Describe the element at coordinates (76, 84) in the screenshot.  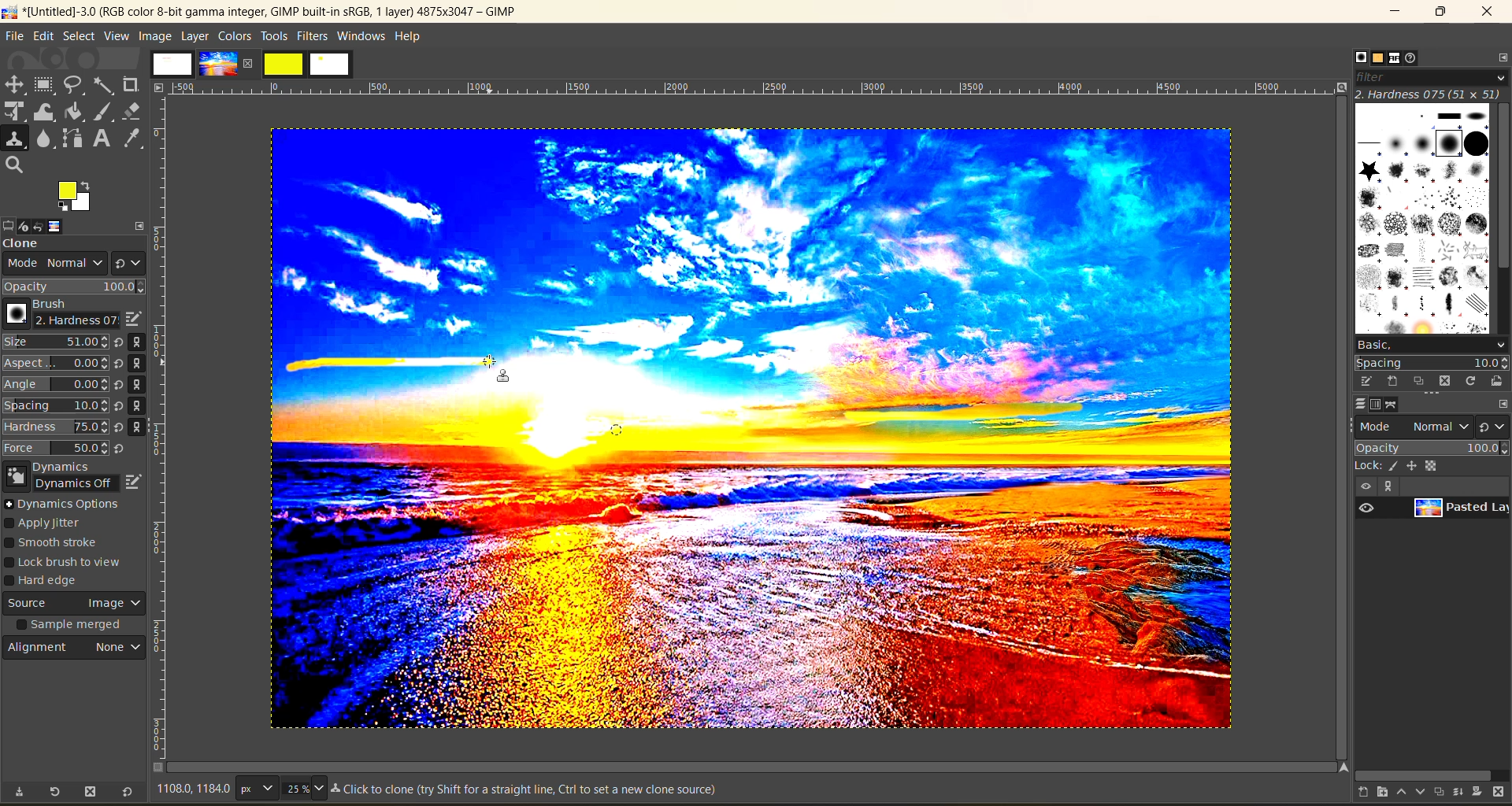
I see `free select tool` at that location.